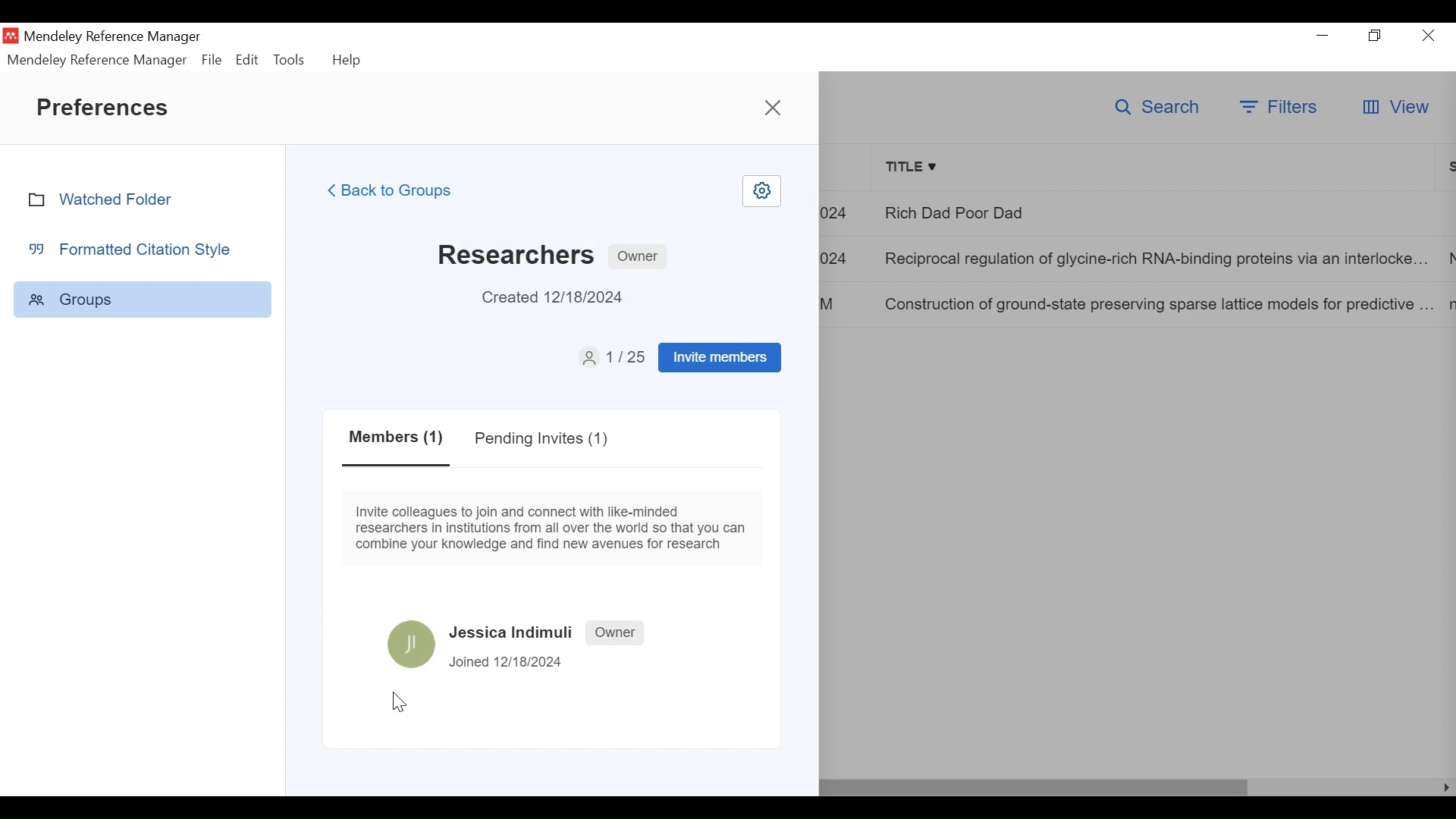  Describe the element at coordinates (1158, 212) in the screenshot. I see `Rich Dad Poor Dad` at that location.